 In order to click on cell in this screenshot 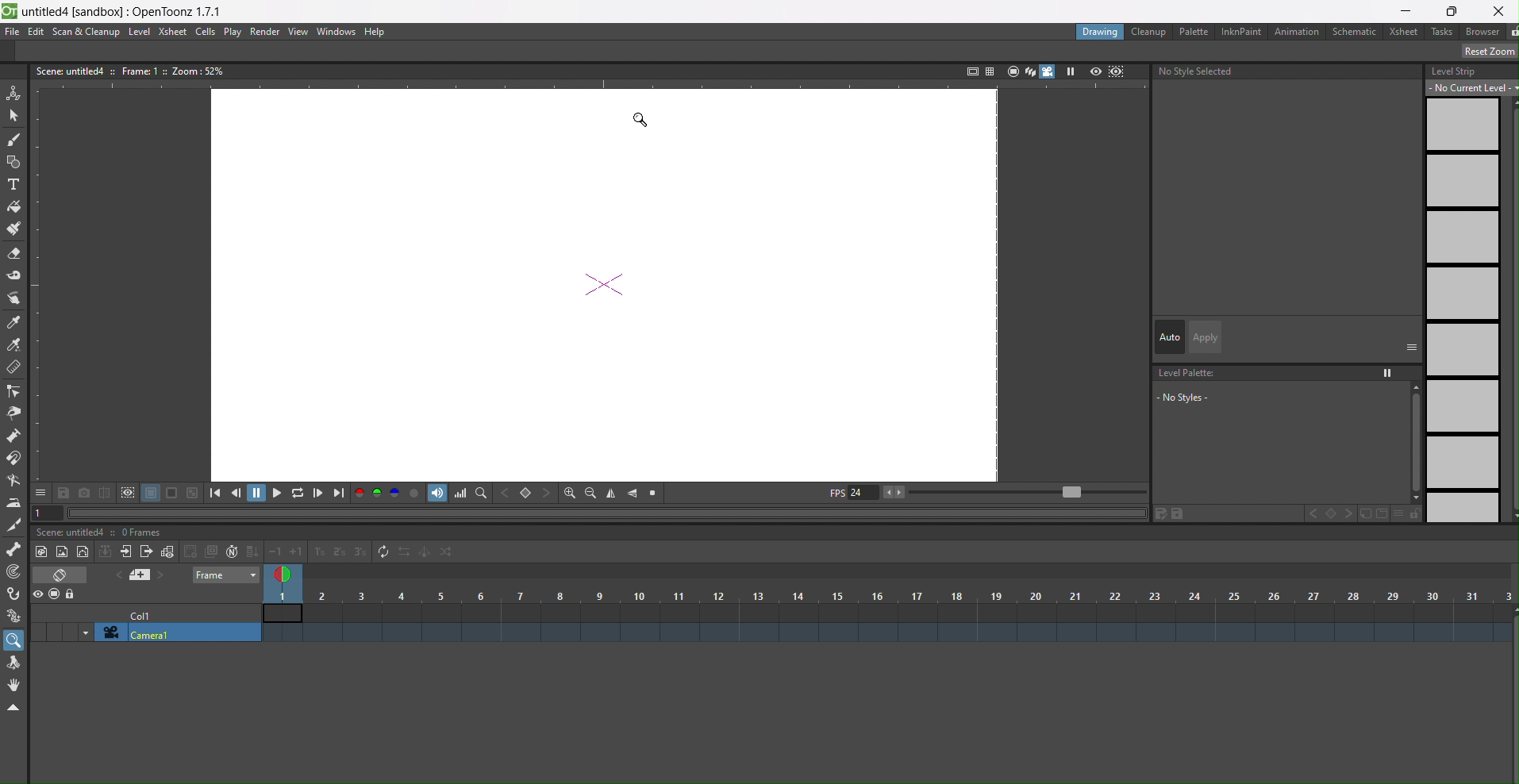, I will do `click(145, 617)`.